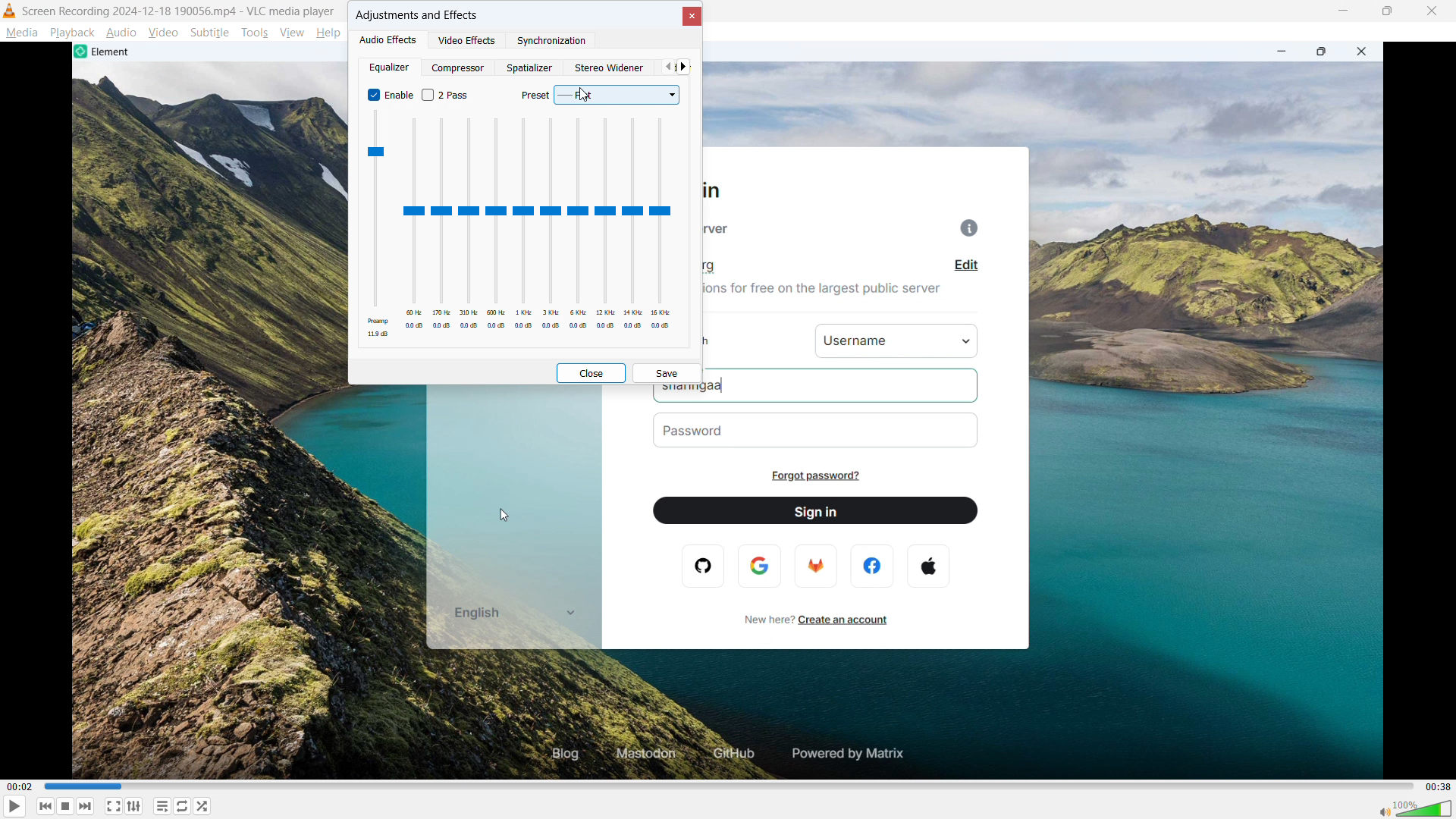 This screenshot has width=1456, height=819. Describe the element at coordinates (551, 224) in the screenshot. I see `Adjust 3 kilohertz` at that location.